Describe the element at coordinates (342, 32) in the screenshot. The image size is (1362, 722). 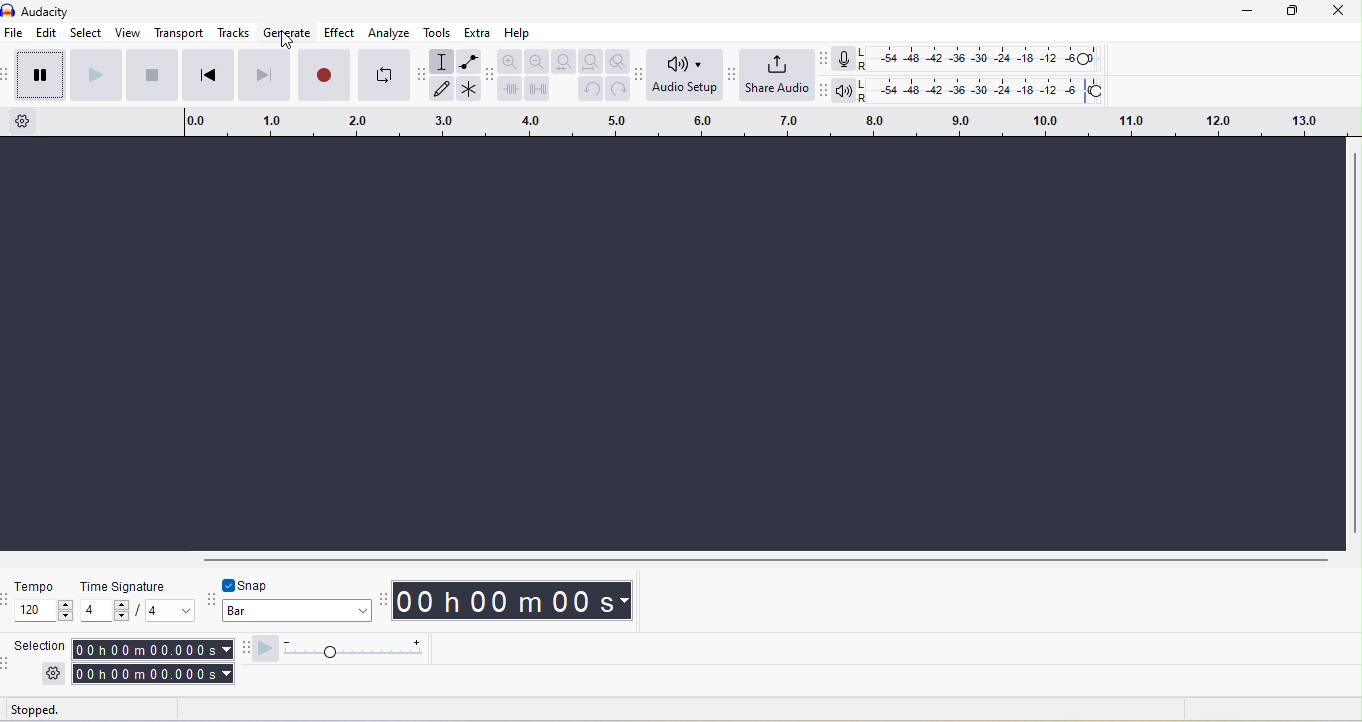
I see `effect` at that location.